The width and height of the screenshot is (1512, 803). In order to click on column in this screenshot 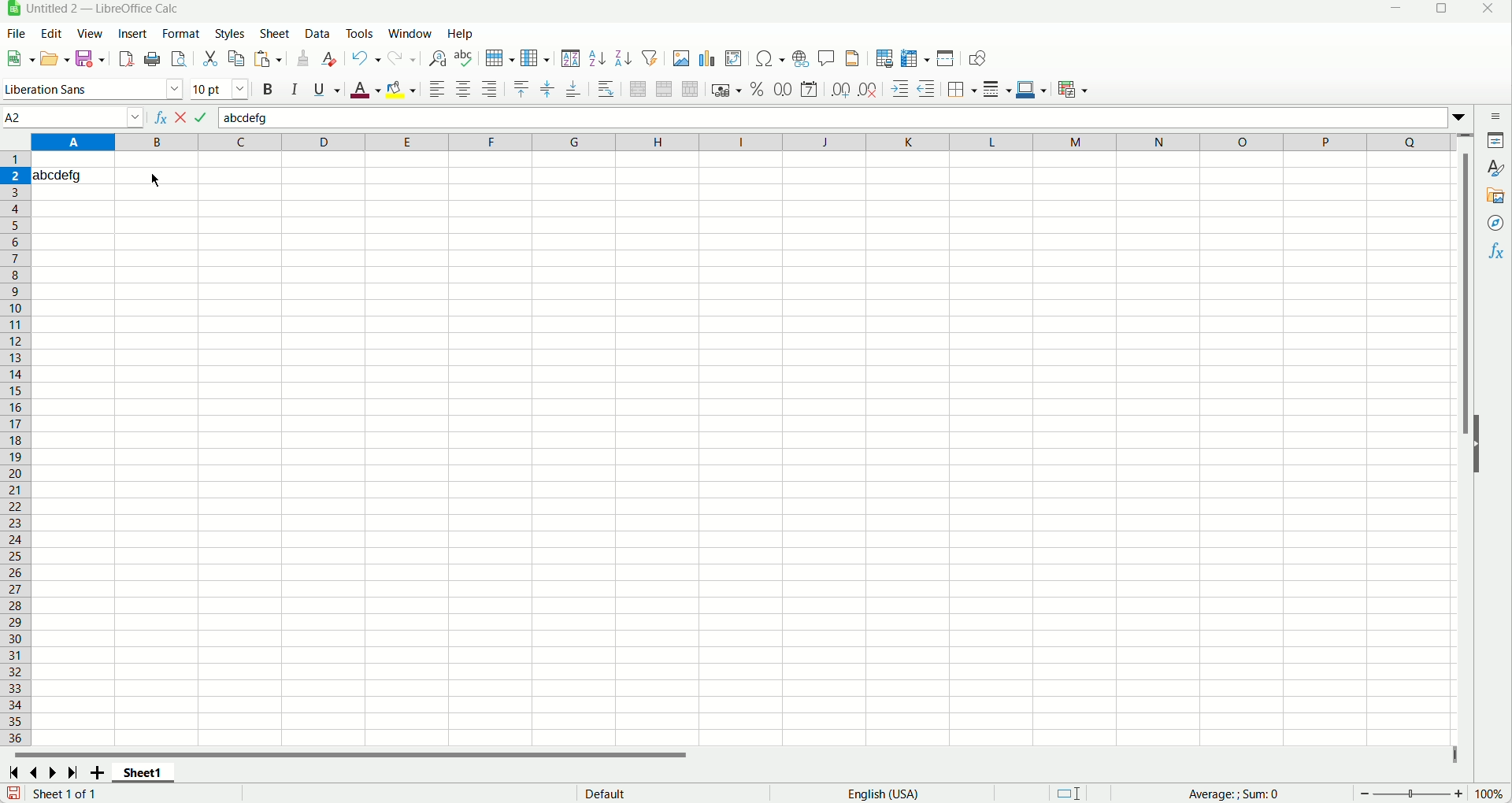, I will do `click(743, 142)`.